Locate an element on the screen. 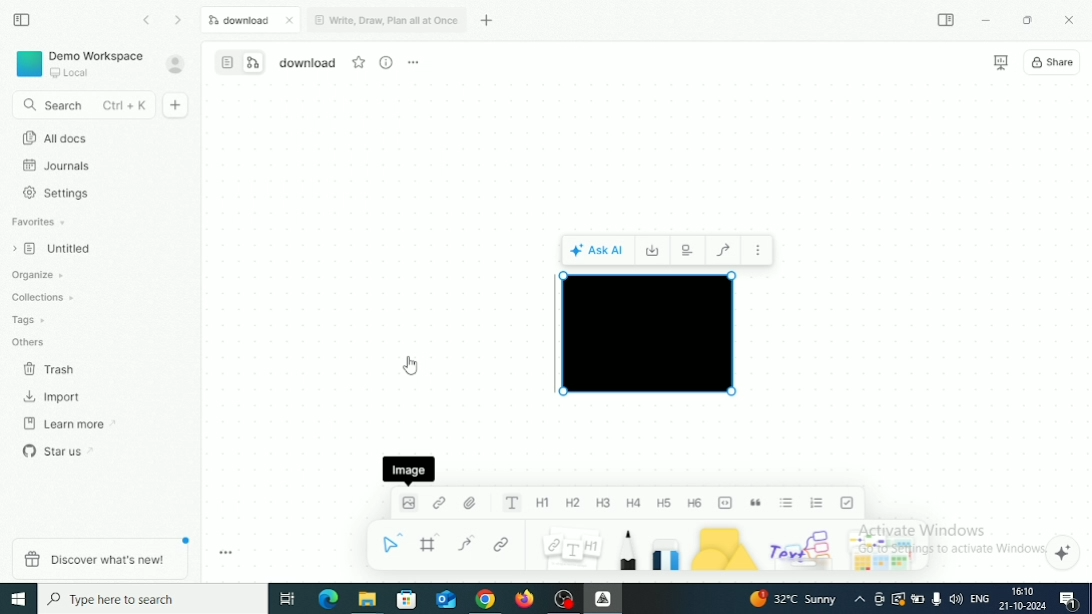  New doc is located at coordinates (178, 106).